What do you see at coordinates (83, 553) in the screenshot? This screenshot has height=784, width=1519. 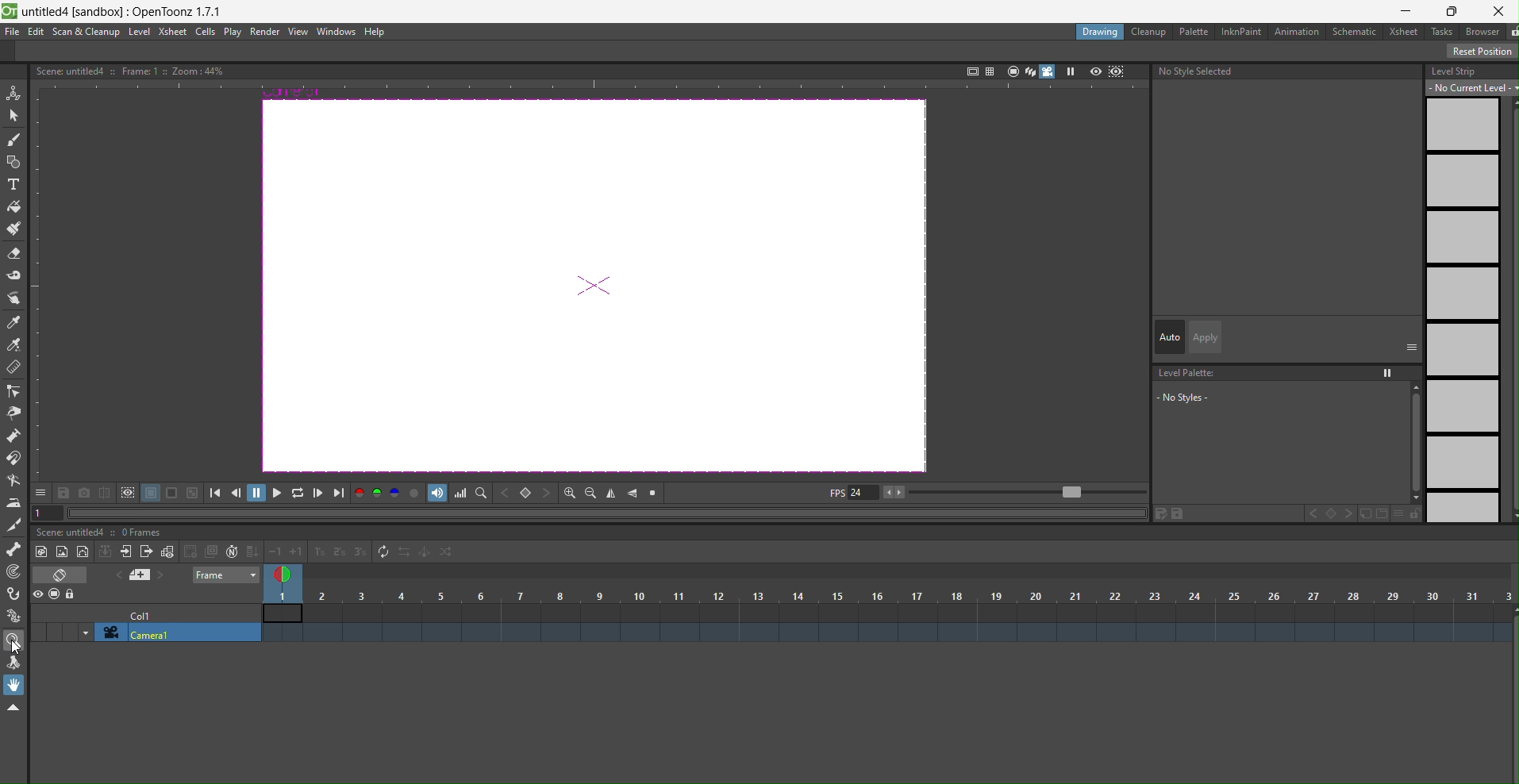 I see `new toonz level` at bounding box center [83, 553].